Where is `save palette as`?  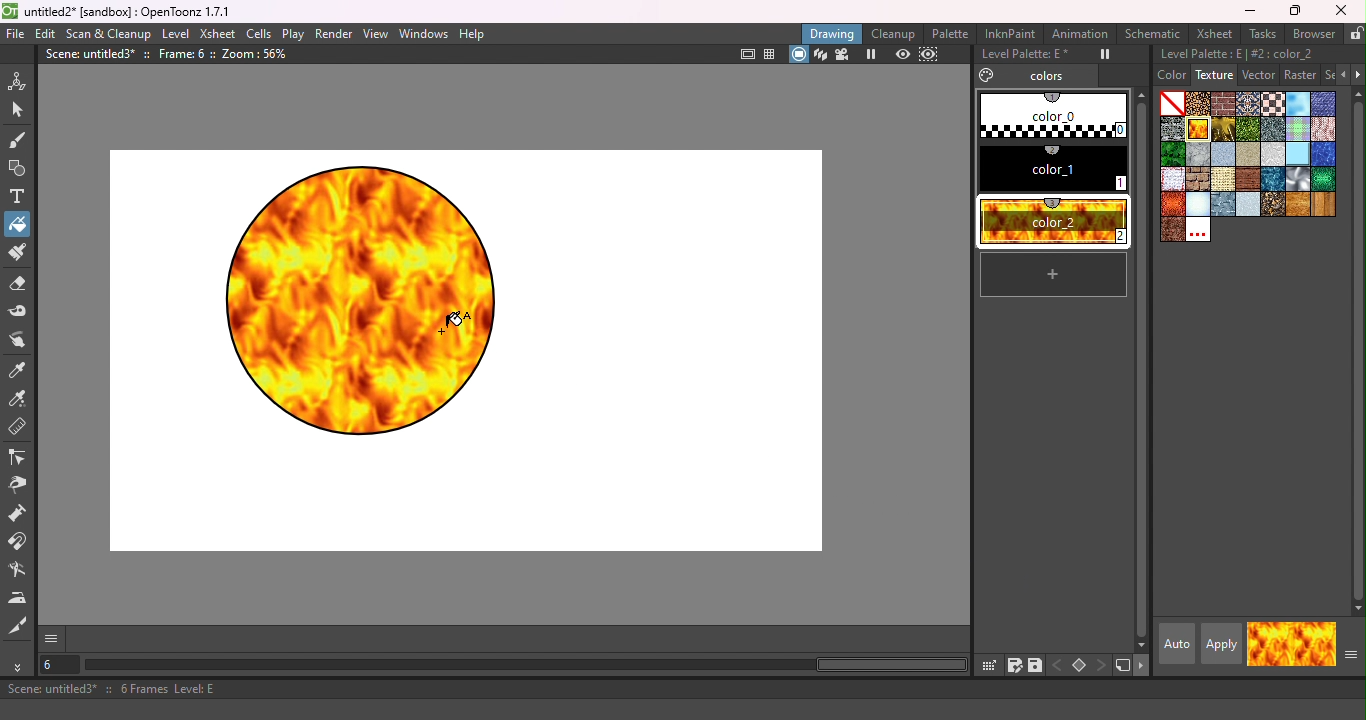 save palette as is located at coordinates (1013, 665).